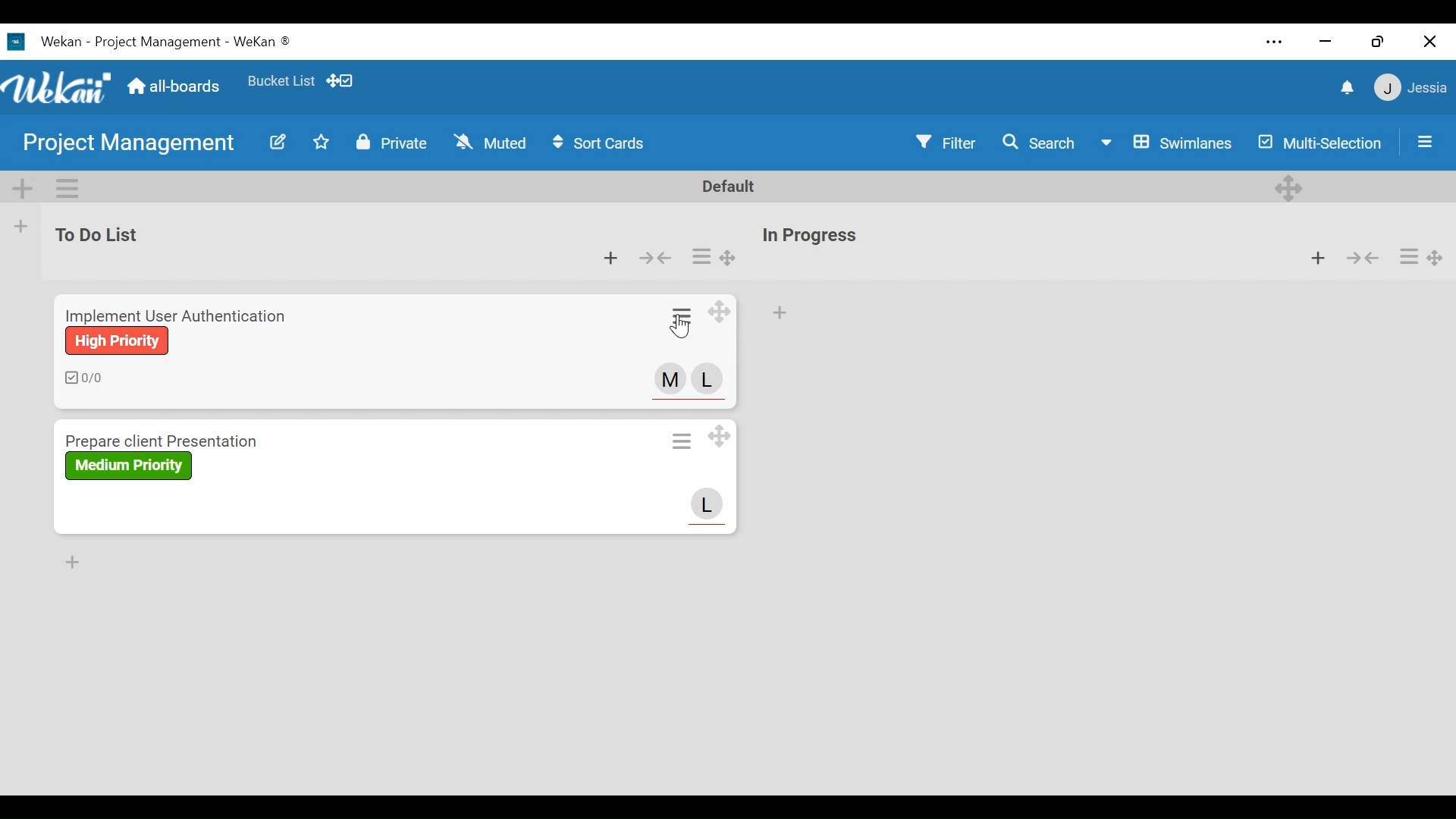 The image size is (1456, 819). Describe the element at coordinates (1034, 143) in the screenshot. I see `Search` at that location.